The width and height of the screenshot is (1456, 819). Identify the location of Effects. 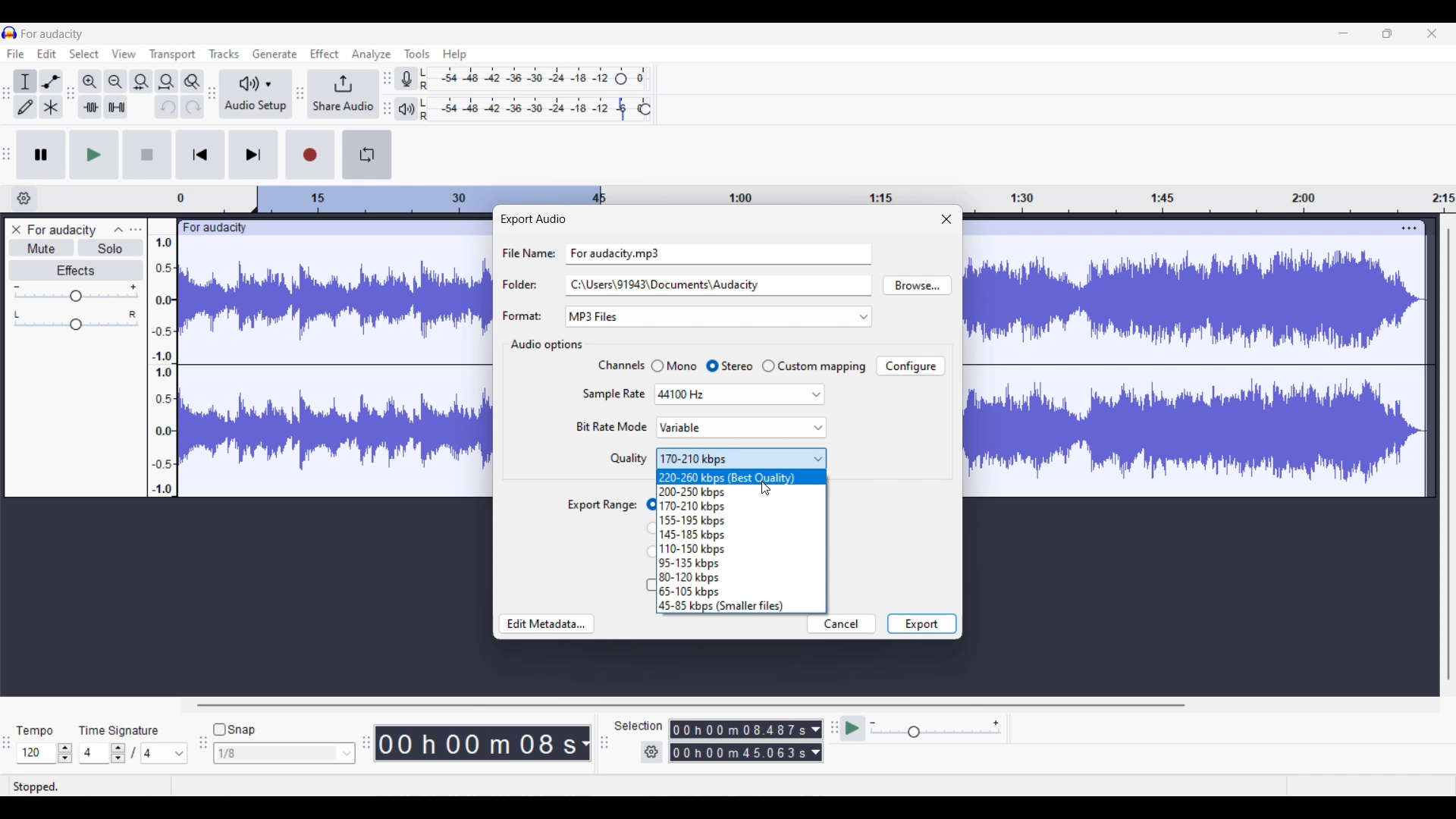
(77, 271).